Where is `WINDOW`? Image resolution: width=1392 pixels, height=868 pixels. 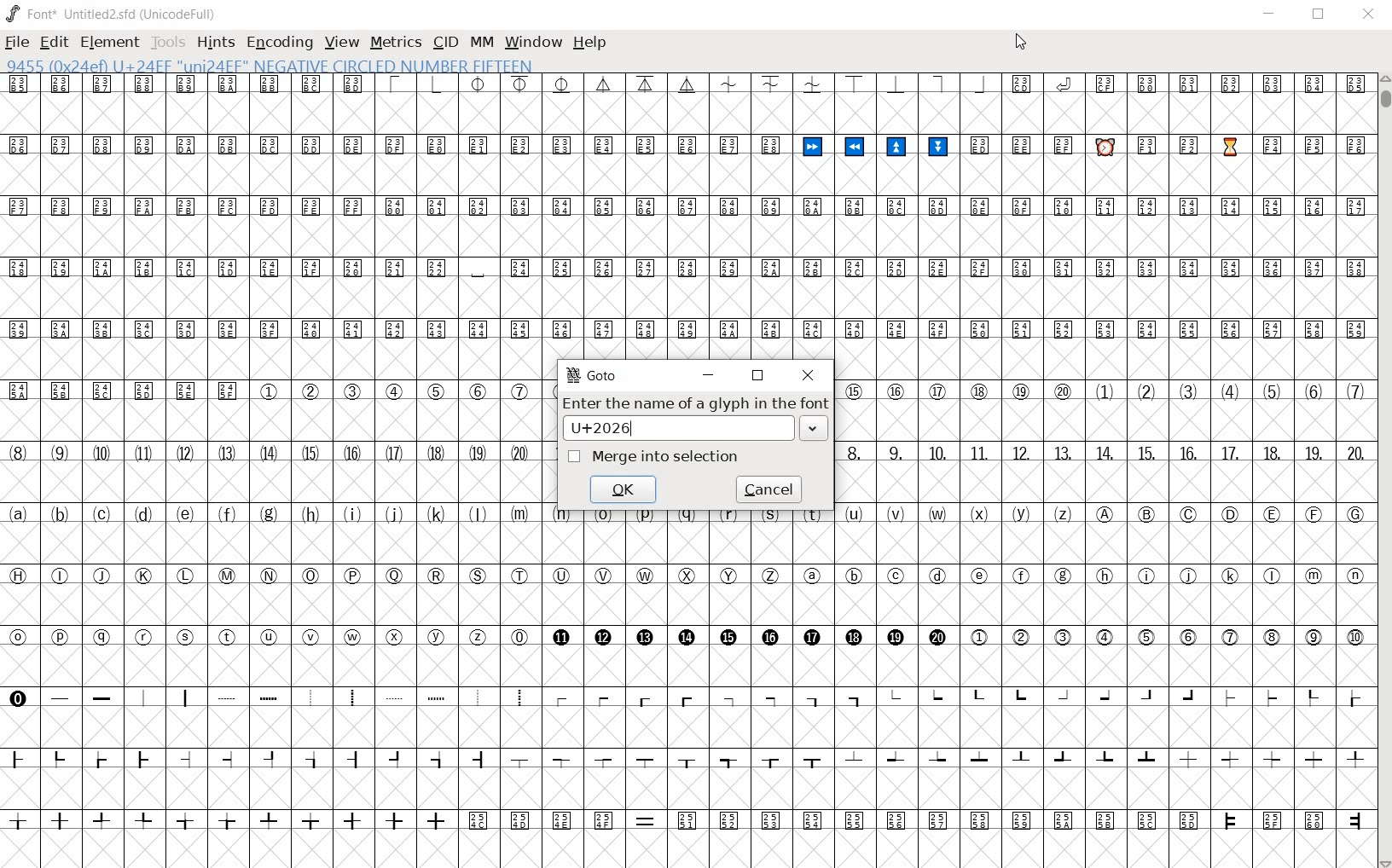 WINDOW is located at coordinates (532, 41).